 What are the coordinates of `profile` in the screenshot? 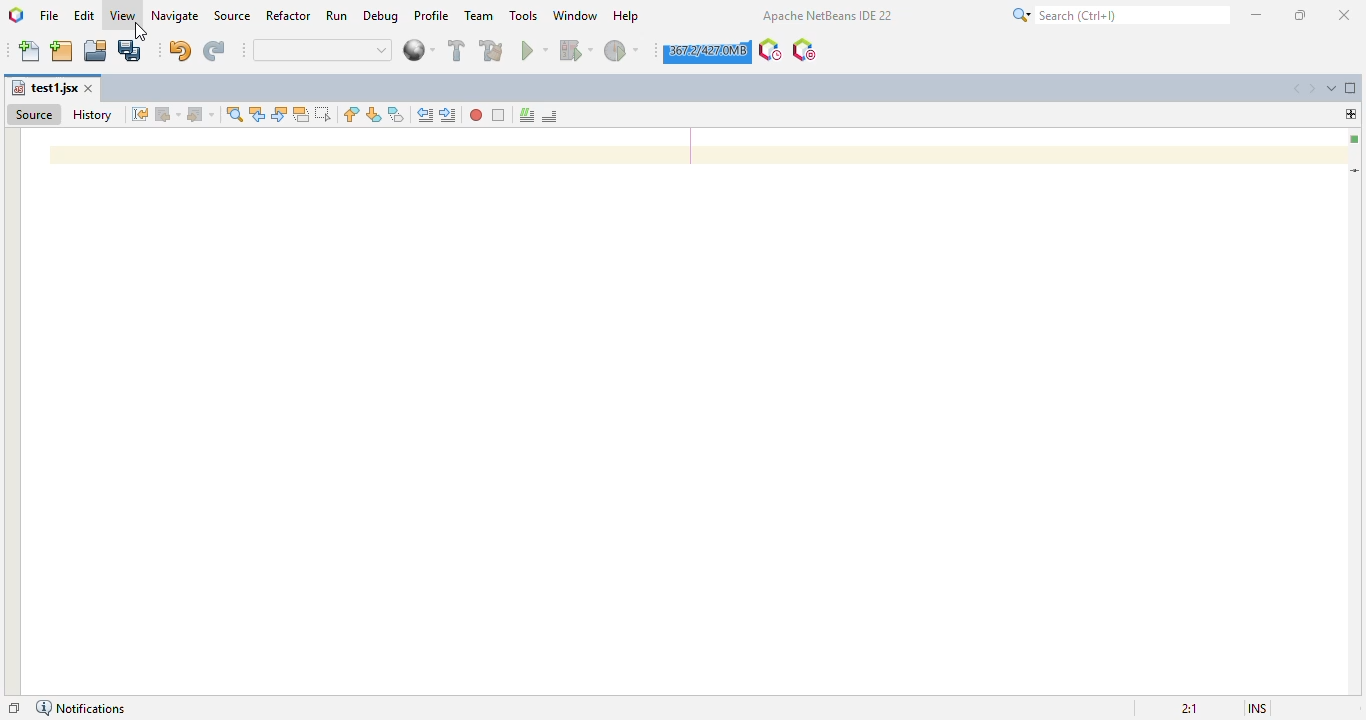 It's located at (432, 14).